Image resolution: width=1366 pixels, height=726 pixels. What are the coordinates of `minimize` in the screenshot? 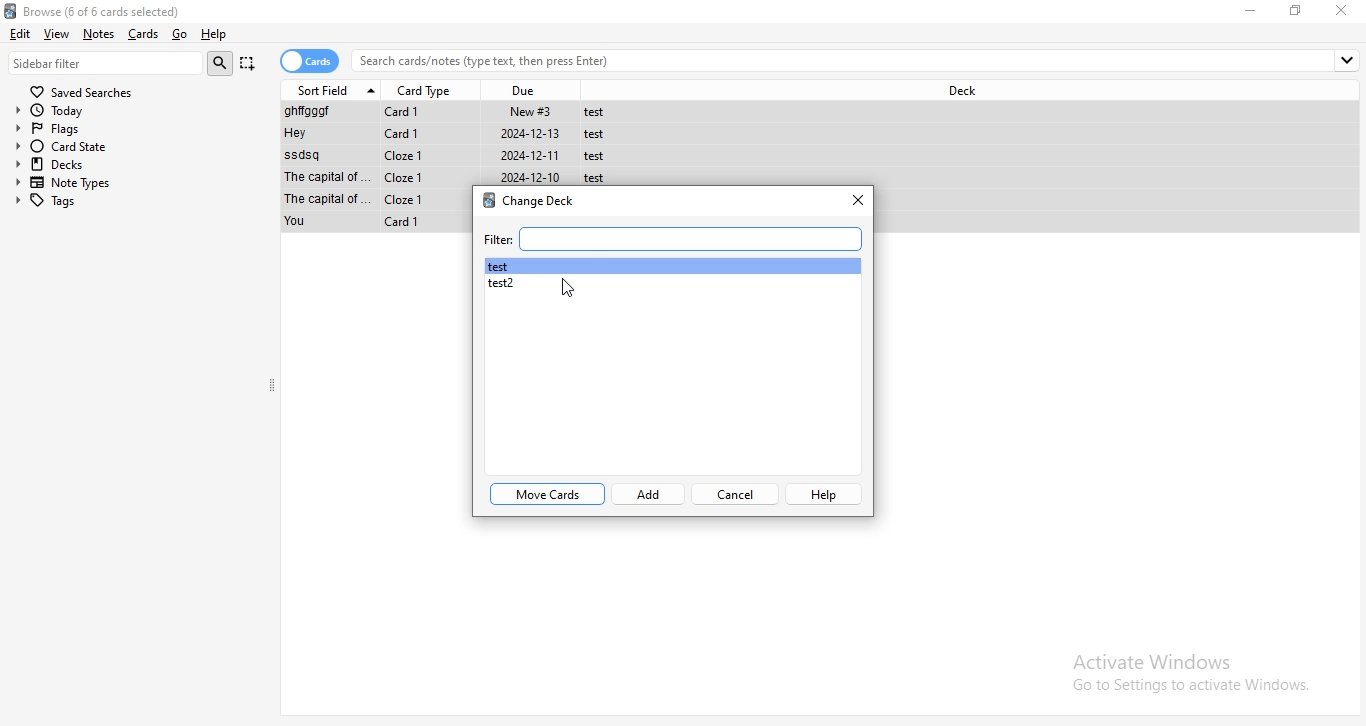 It's located at (1252, 10).